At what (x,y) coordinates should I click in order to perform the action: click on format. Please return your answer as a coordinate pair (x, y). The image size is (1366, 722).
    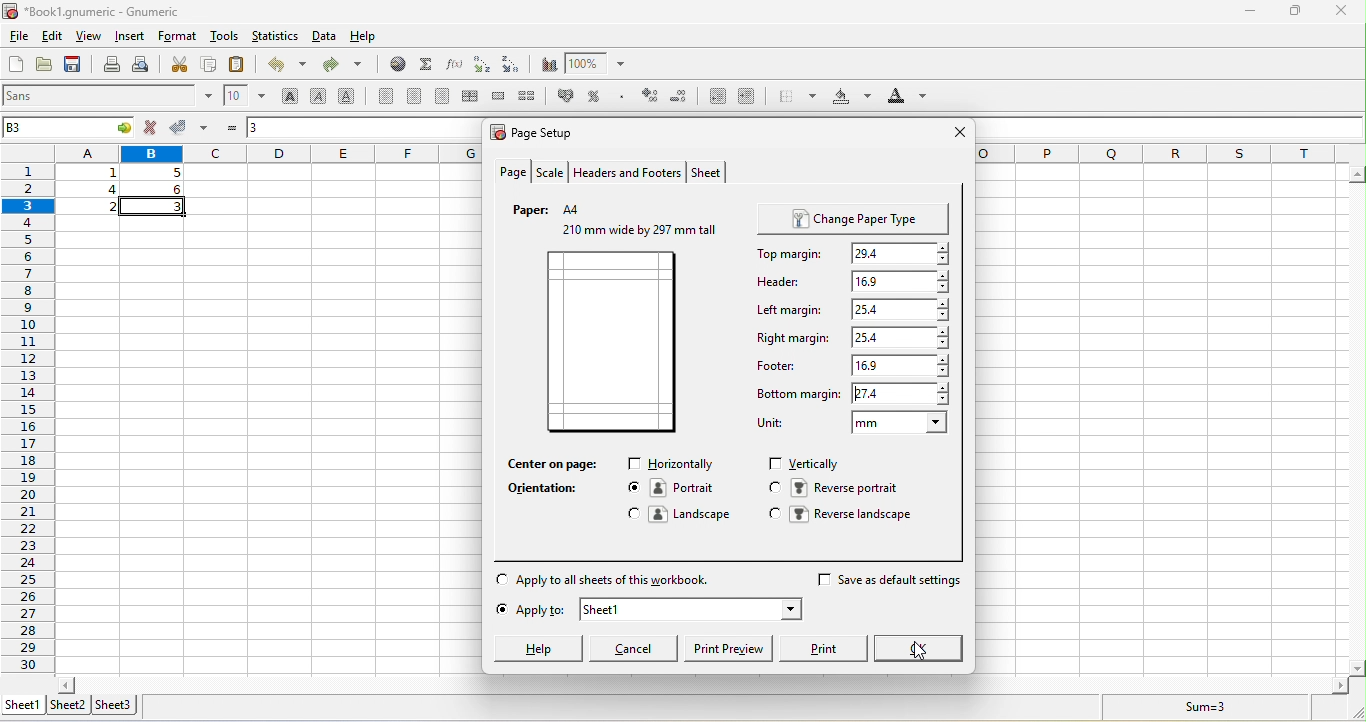
    Looking at the image, I should click on (179, 38).